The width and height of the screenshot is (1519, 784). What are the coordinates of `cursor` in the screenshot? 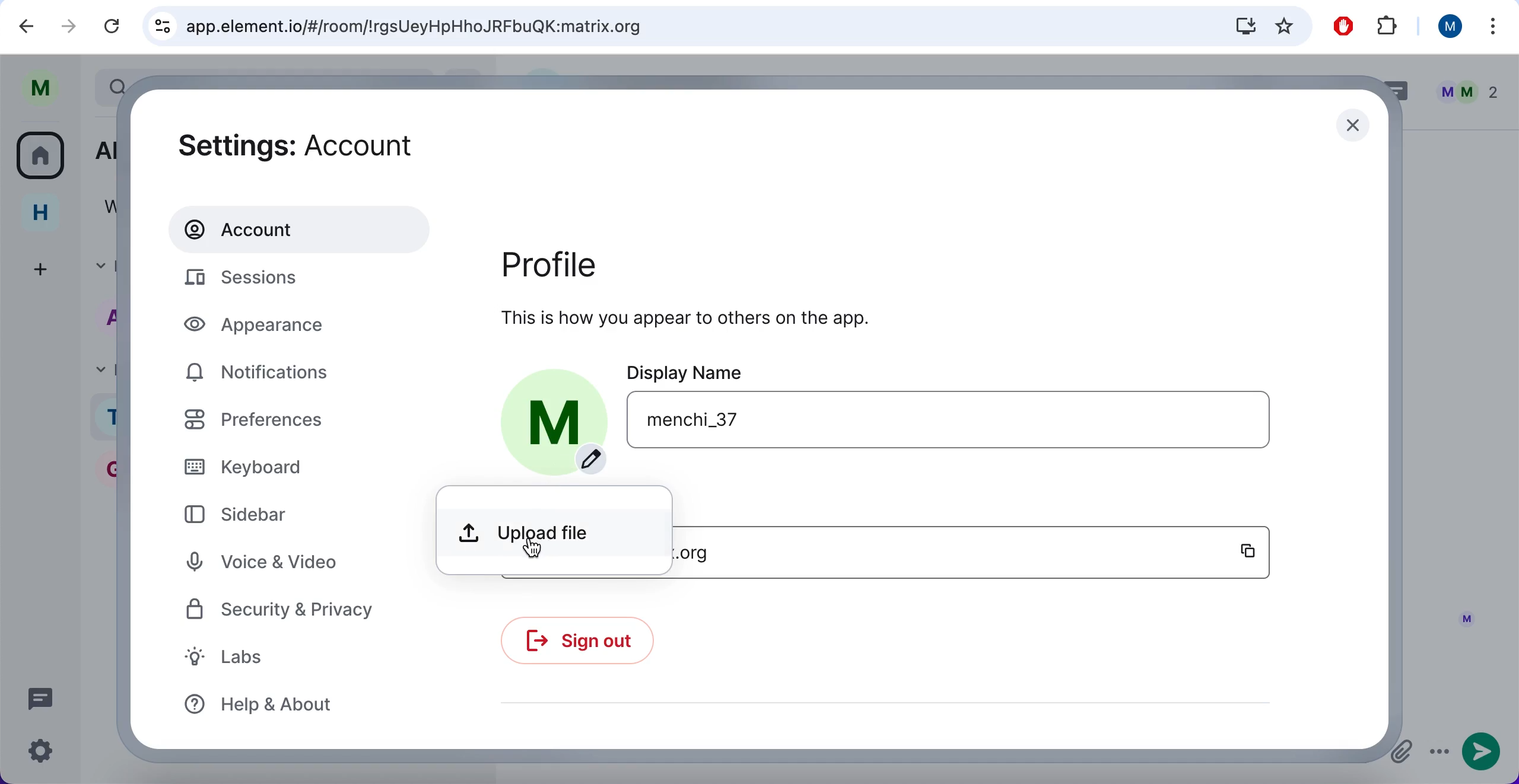 It's located at (532, 548).